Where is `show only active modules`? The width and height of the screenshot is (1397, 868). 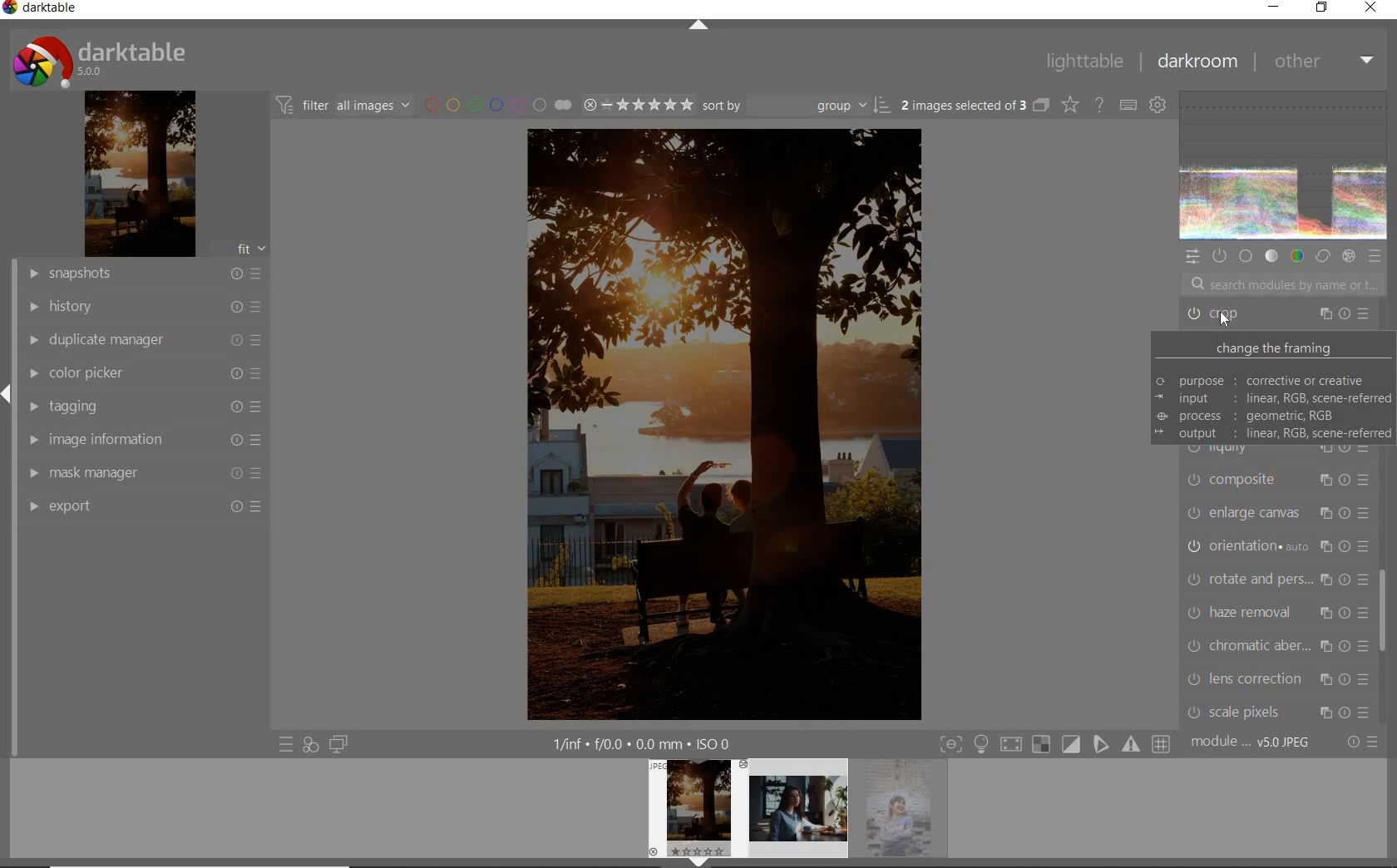 show only active modules is located at coordinates (1221, 255).